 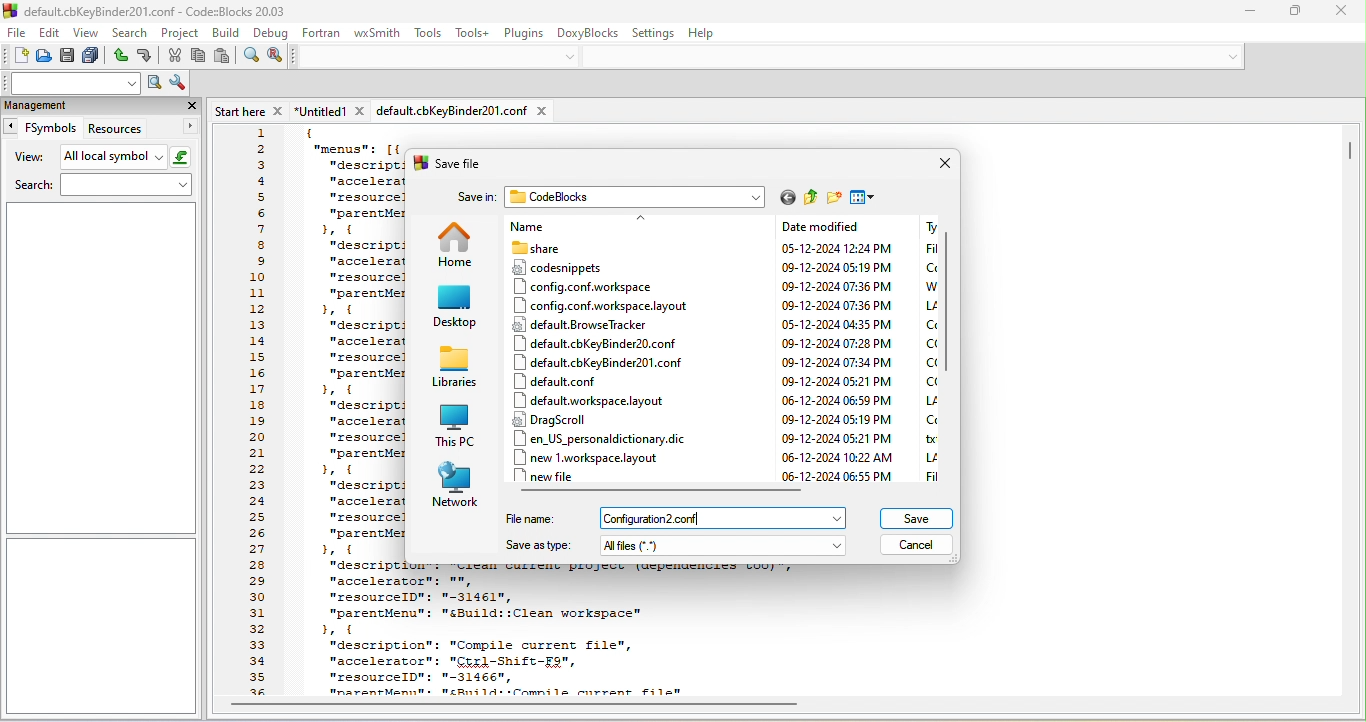 What do you see at coordinates (663, 491) in the screenshot?
I see `horizontal scroll bar` at bounding box center [663, 491].